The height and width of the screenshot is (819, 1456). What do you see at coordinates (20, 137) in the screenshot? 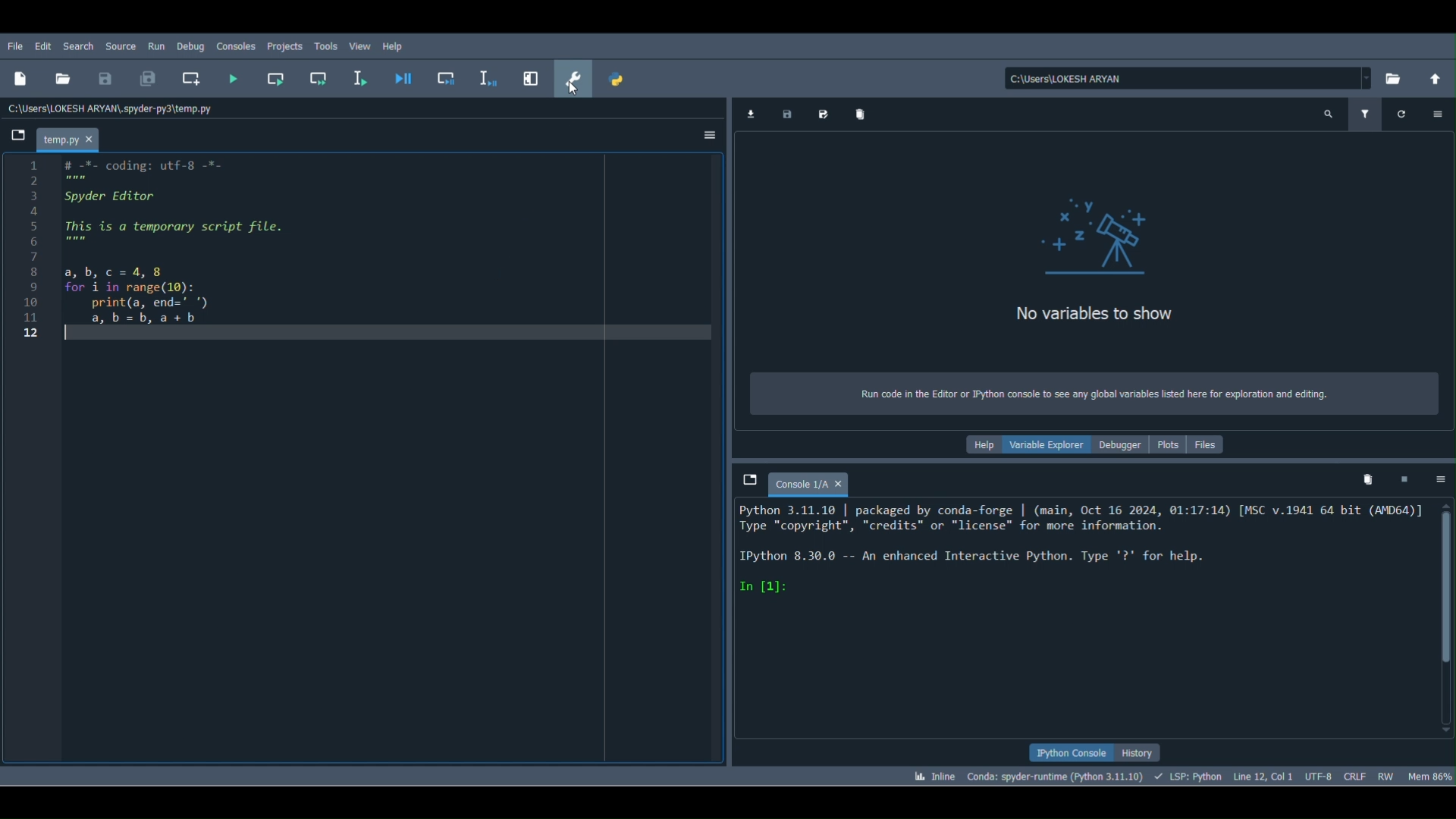
I see `Browse tabs` at bounding box center [20, 137].